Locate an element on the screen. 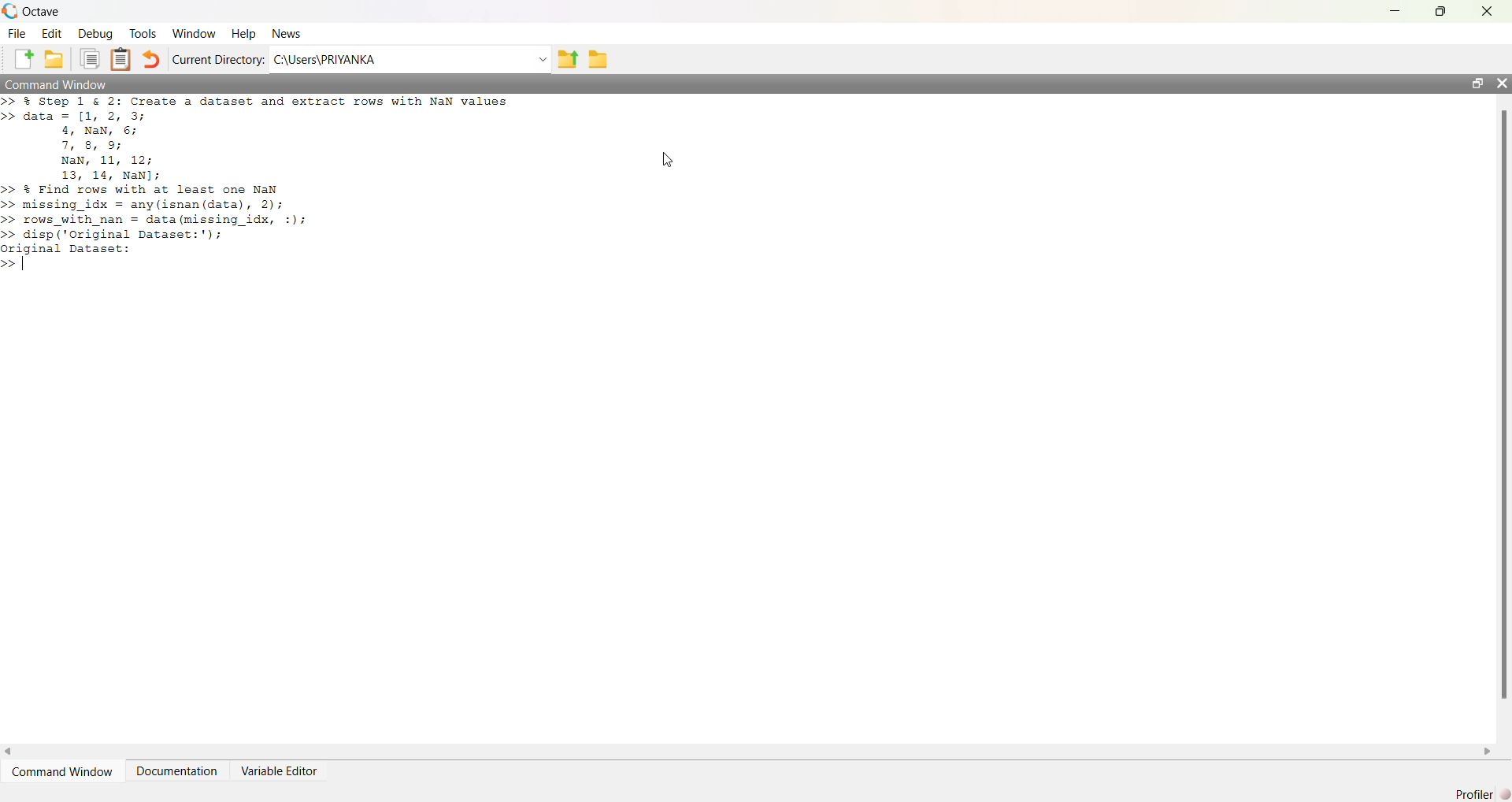 The image size is (1512, 802). New Folder is located at coordinates (54, 59).